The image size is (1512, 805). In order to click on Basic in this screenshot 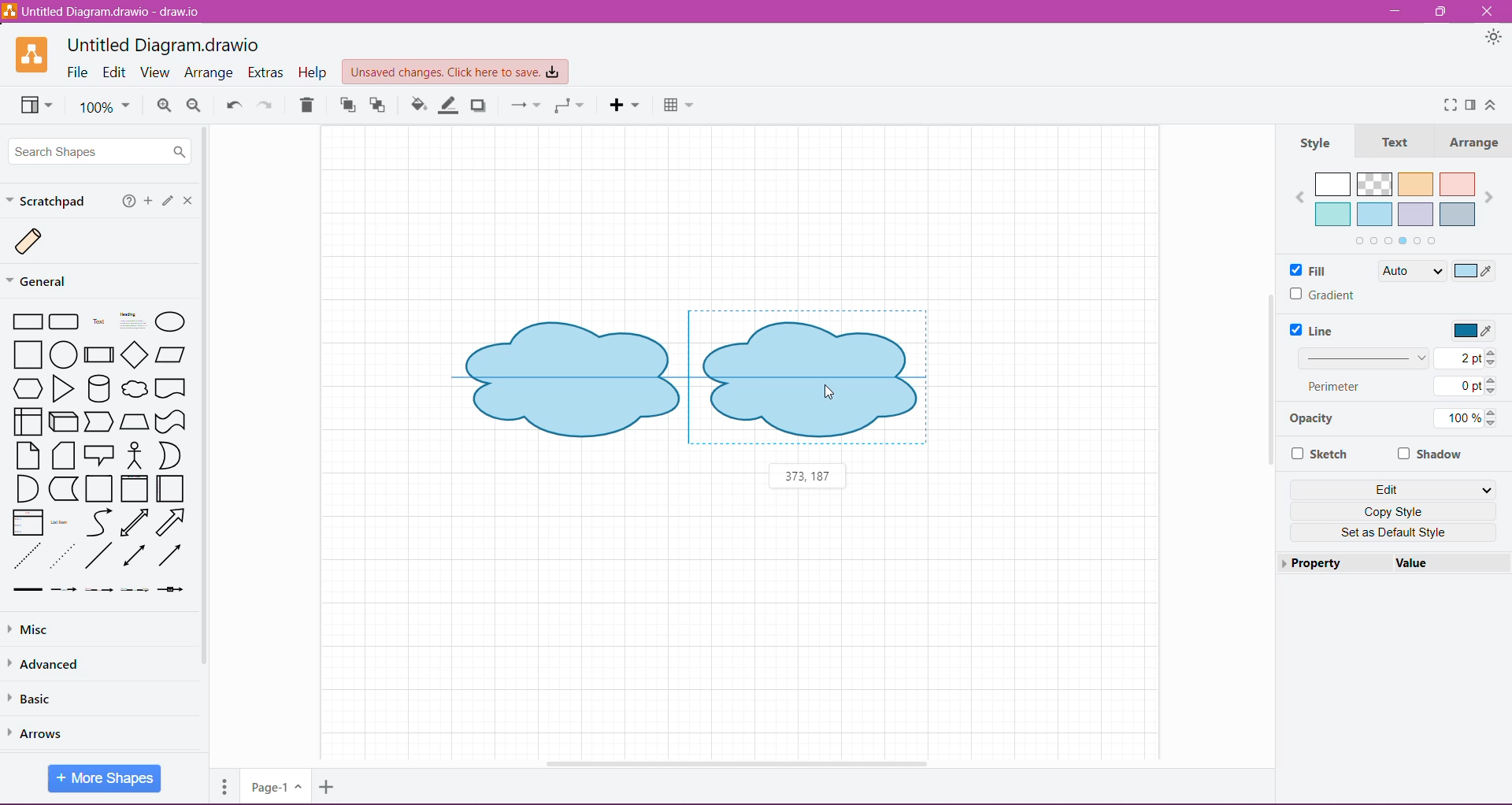, I will do `click(38, 699)`.